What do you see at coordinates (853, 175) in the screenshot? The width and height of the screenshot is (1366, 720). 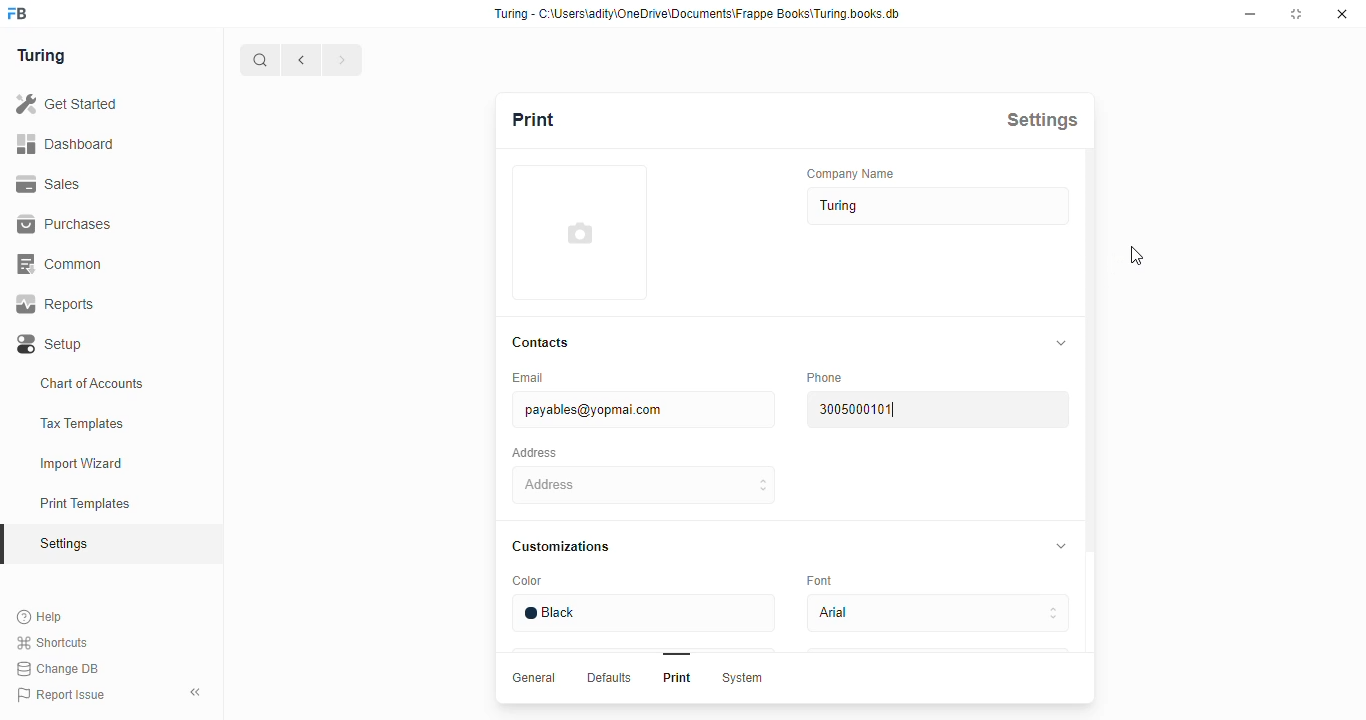 I see `‘Company Name` at bounding box center [853, 175].